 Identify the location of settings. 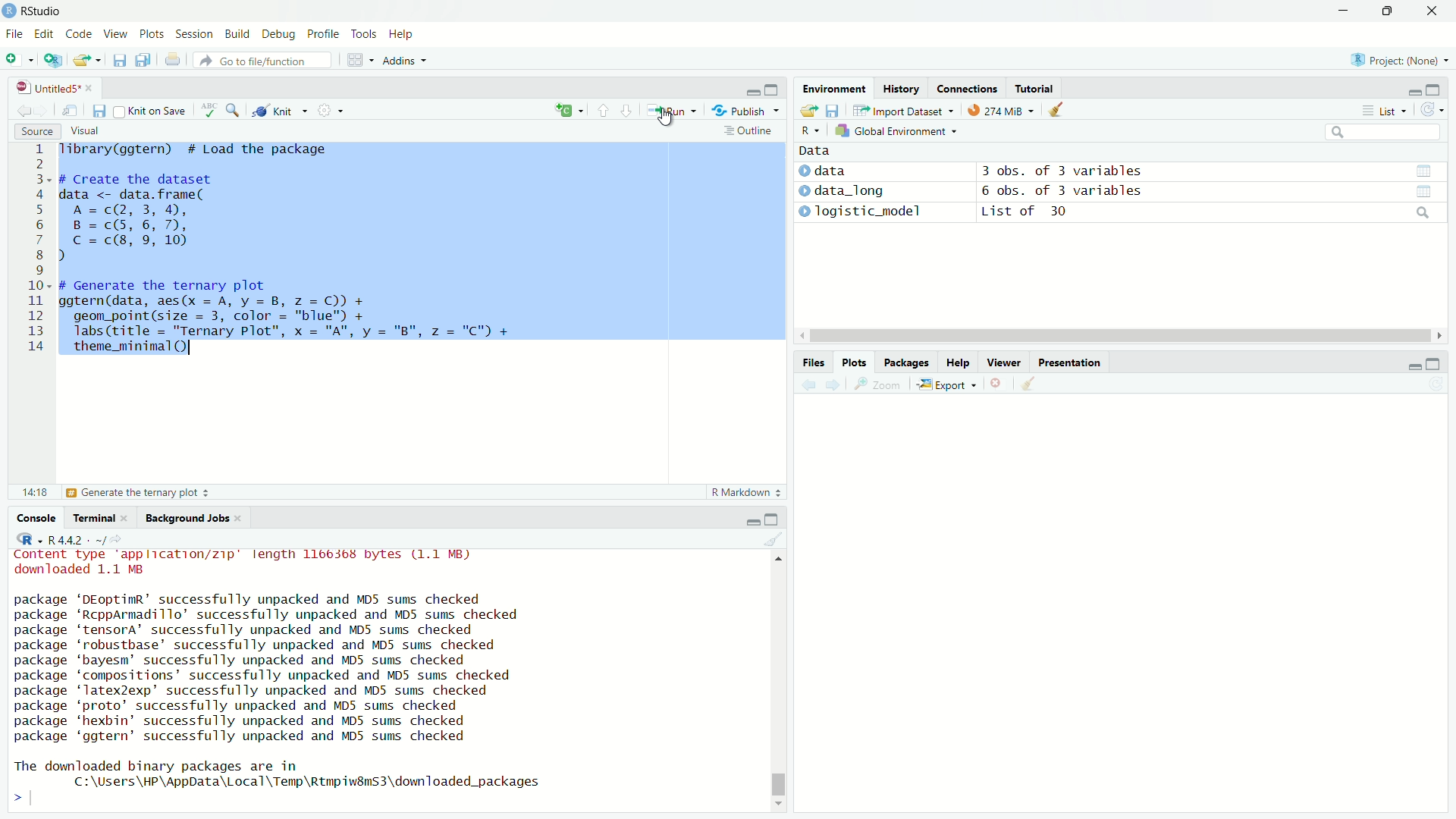
(336, 113).